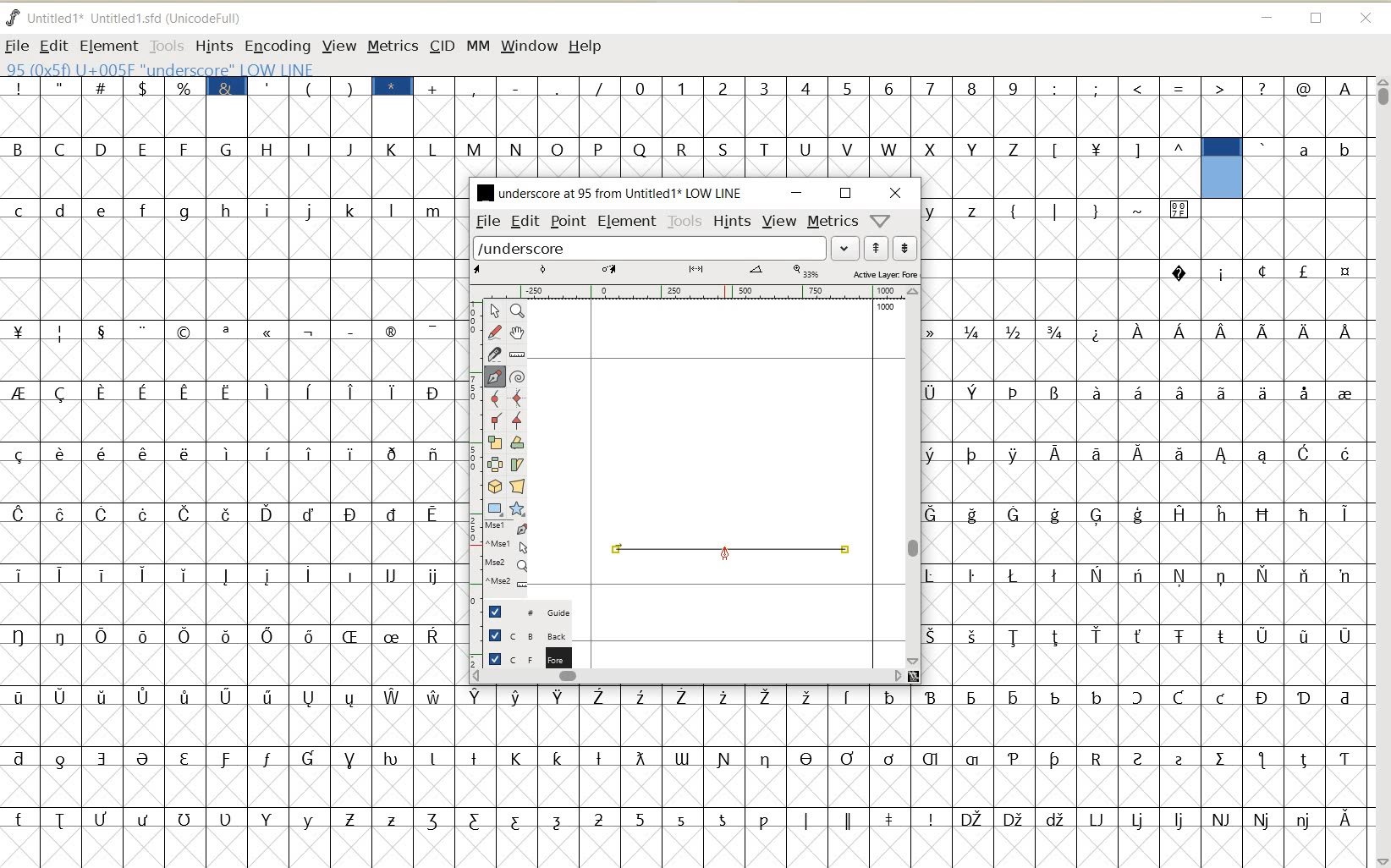 This screenshot has width=1391, height=868. Describe the element at coordinates (165, 45) in the screenshot. I see `TOOLS` at that location.